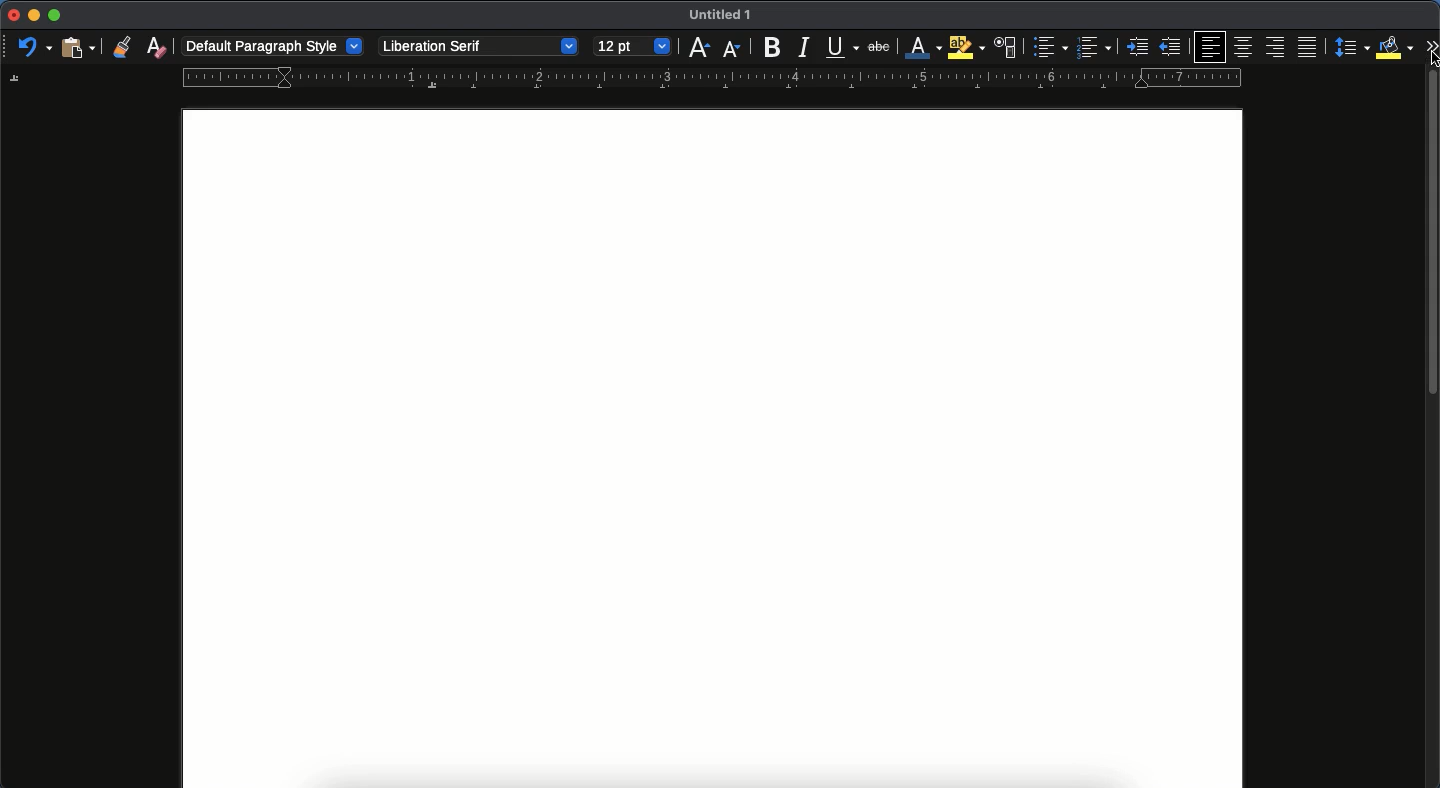 This screenshot has height=788, width=1440. Describe the element at coordinates (157, 47) in the screenshot. I see `clear formatting` at that location.